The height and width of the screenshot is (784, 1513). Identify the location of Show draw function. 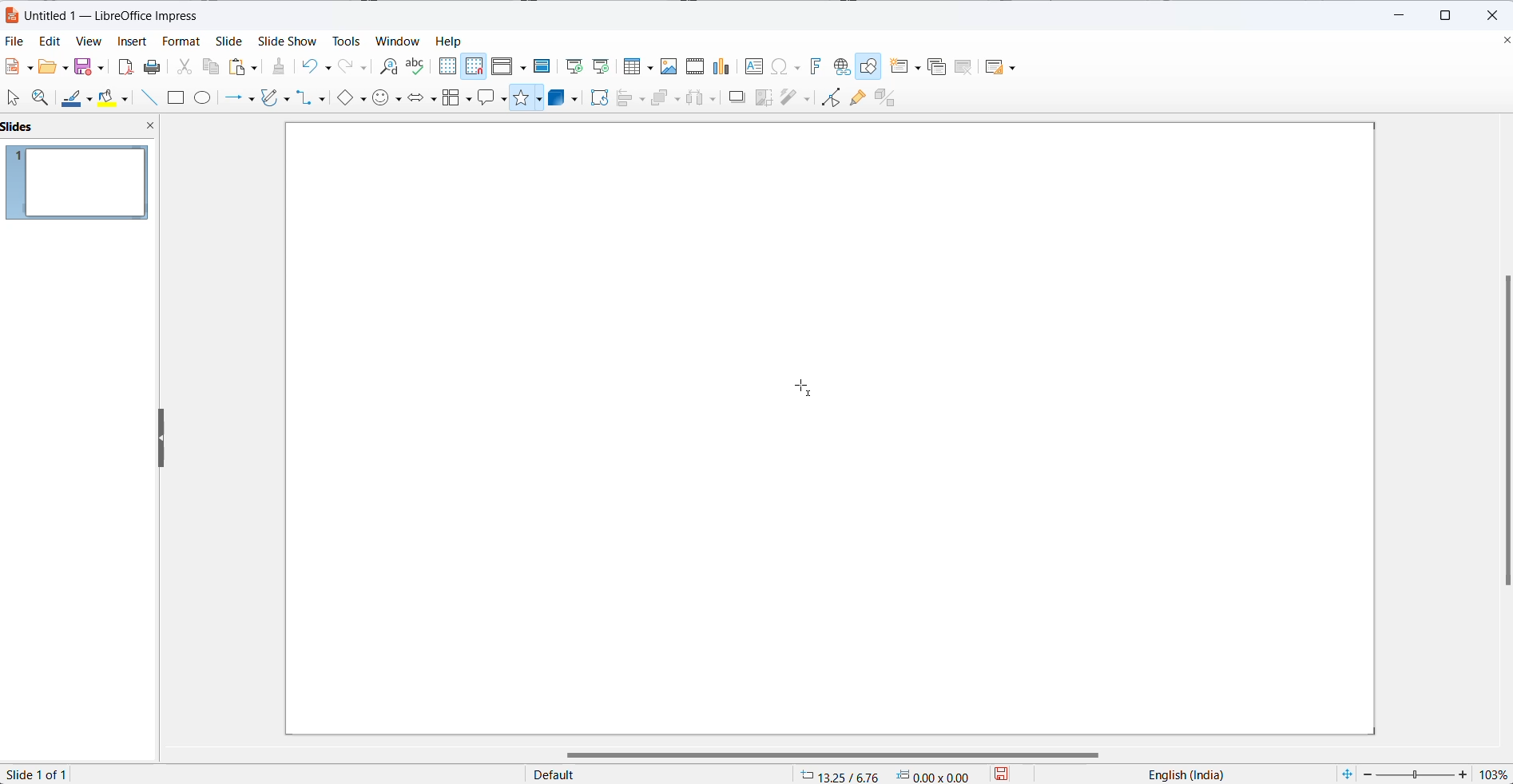
(870, 66).